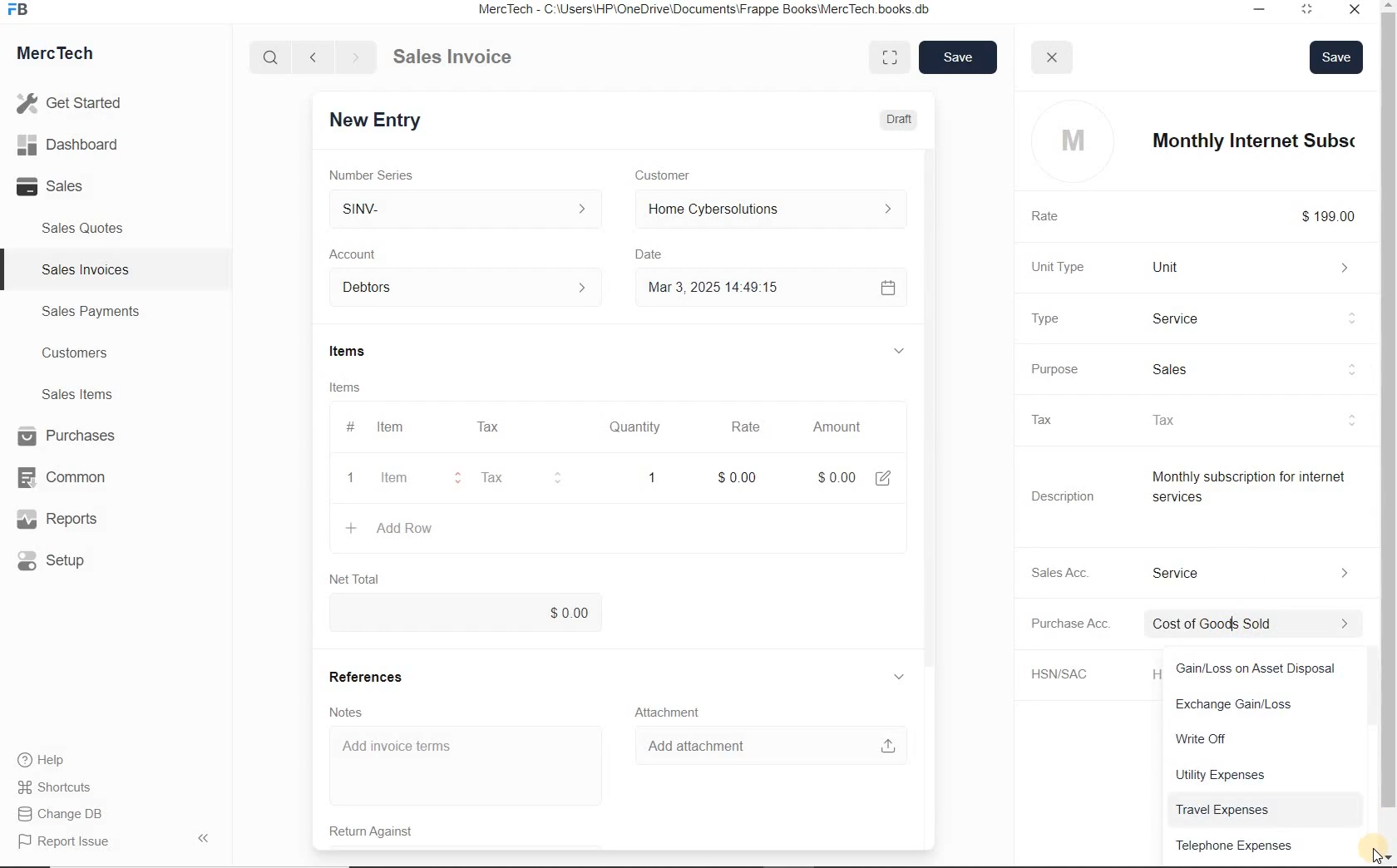 The height and width of the screenshot is (868, 1397). I want to click on item, so click(407, 480).